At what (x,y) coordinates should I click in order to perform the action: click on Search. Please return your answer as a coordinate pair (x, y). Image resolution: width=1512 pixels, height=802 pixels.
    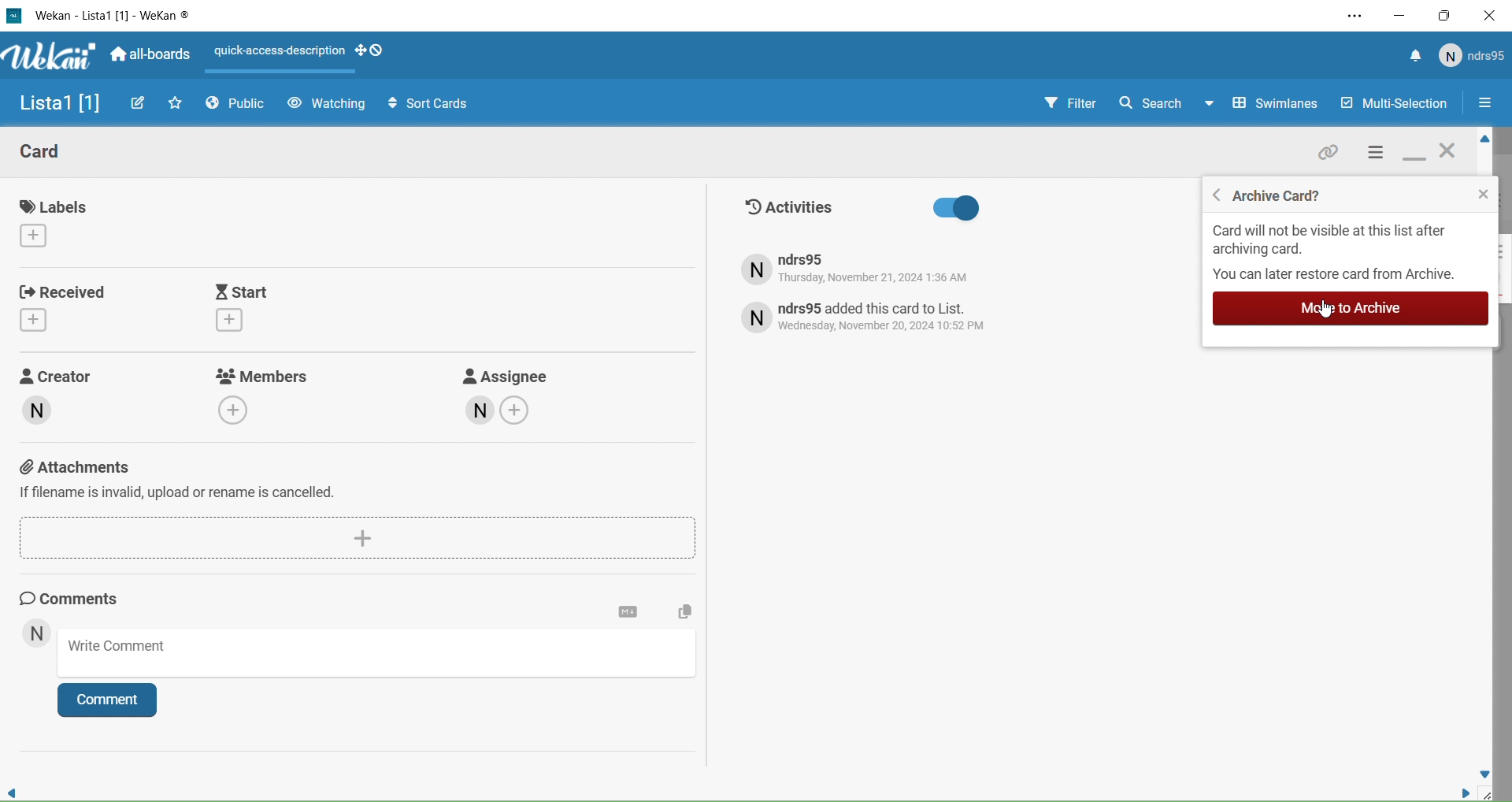
    Looking at the image, I should click on (1155, 104).